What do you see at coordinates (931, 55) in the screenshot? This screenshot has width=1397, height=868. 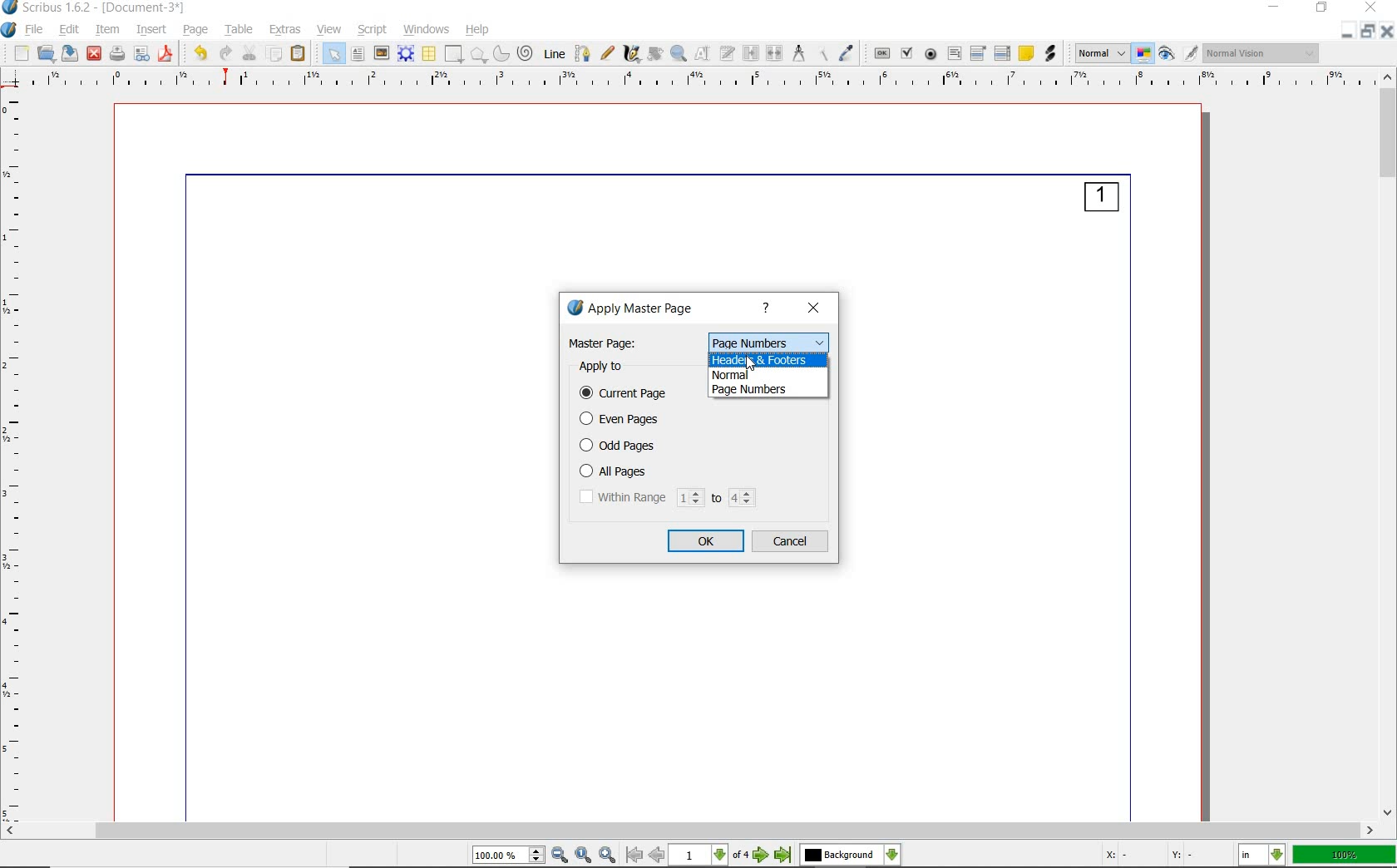 I see `pdf radio button` at bounding box center [931, 55].